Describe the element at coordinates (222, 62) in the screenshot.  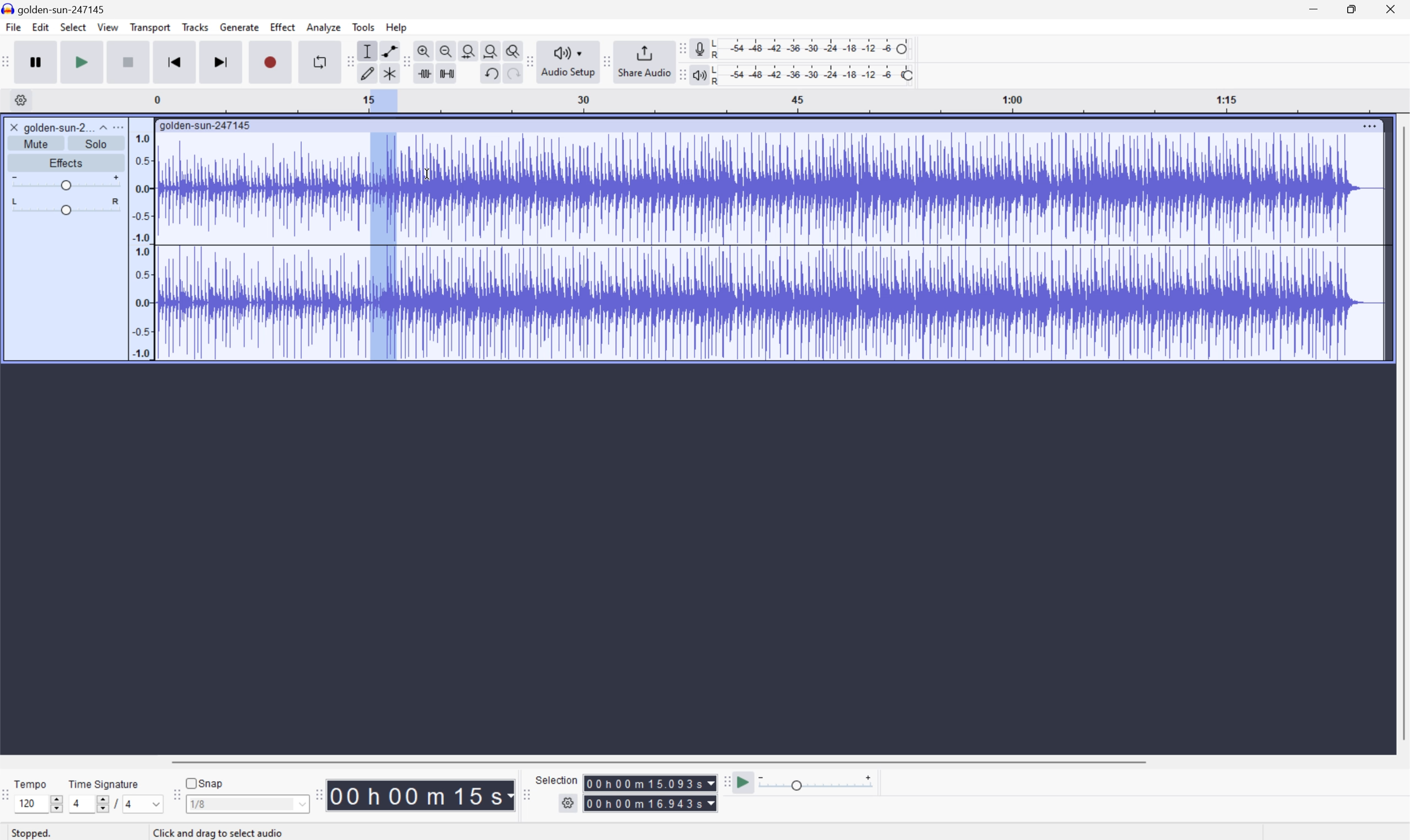
I see `Skip to end` at that location.